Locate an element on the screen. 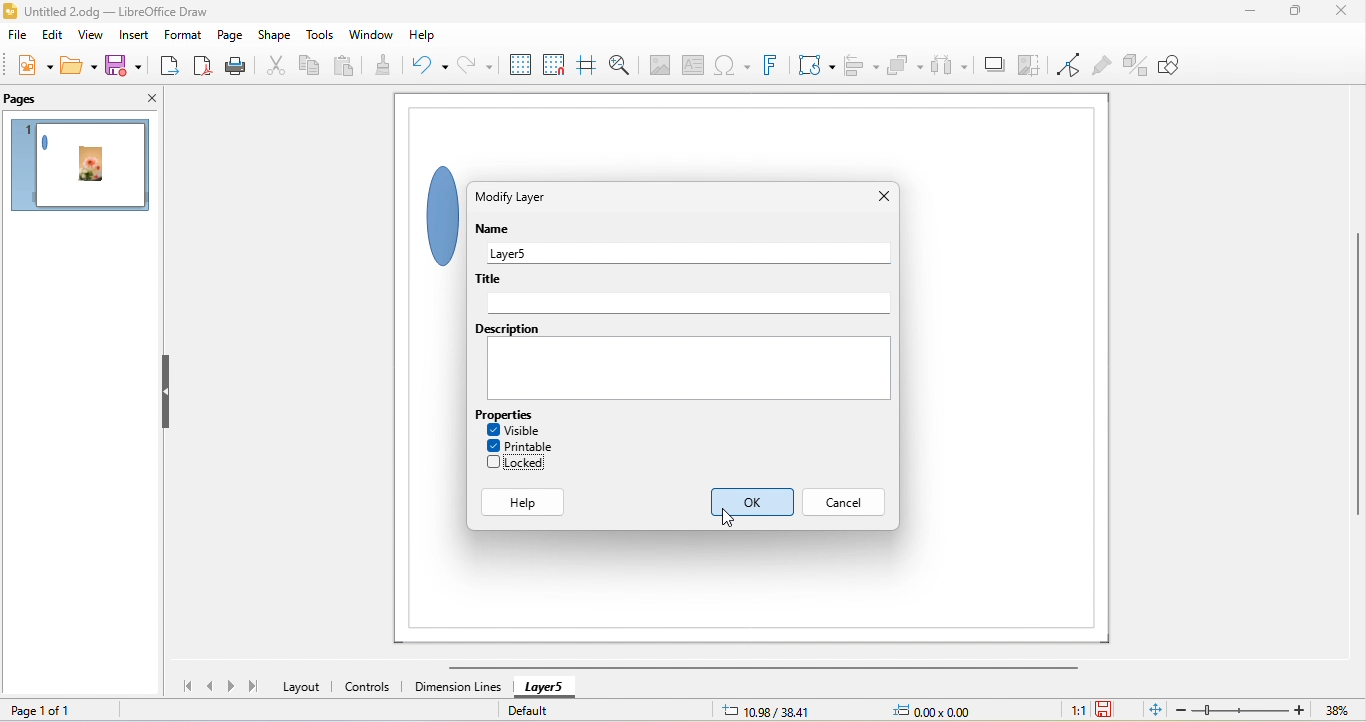 This screenshot has width=1366, height=722. export direct as pdf is located at coordinates (207, 67).